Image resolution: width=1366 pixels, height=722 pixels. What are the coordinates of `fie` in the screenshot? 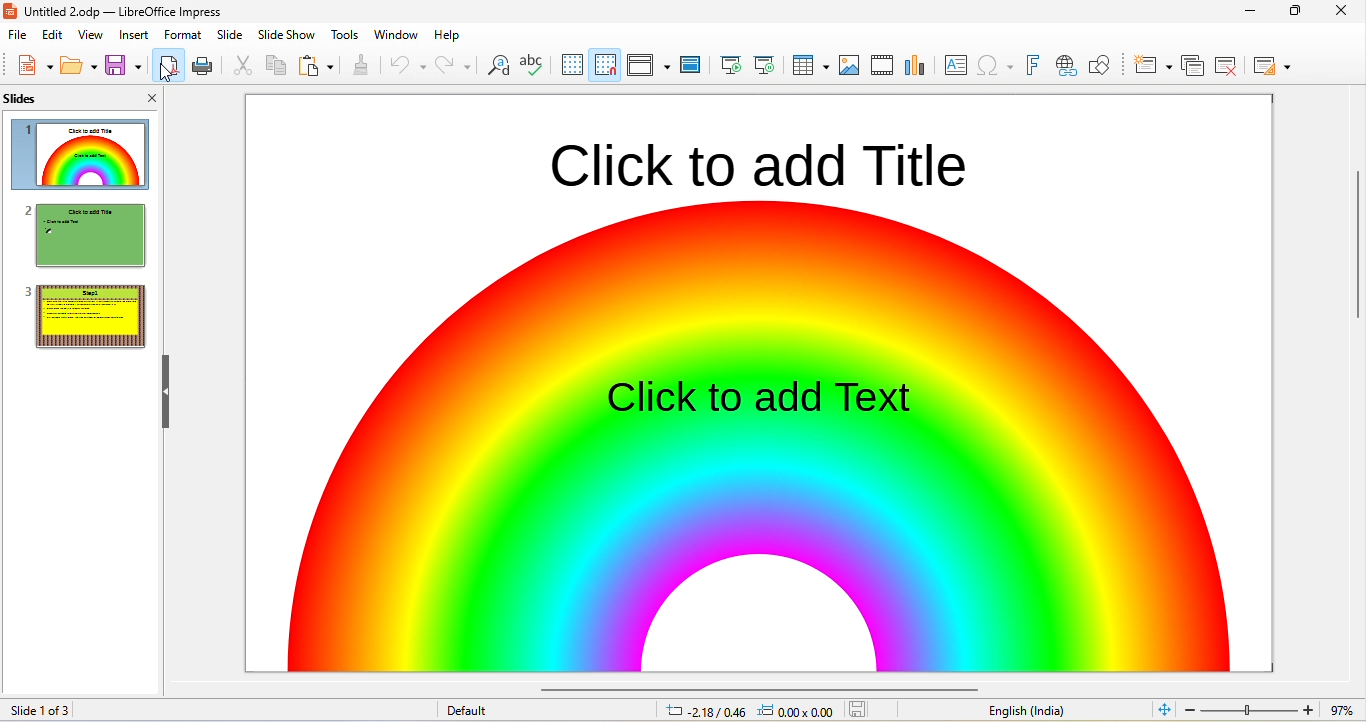 It's located at (18, 35).